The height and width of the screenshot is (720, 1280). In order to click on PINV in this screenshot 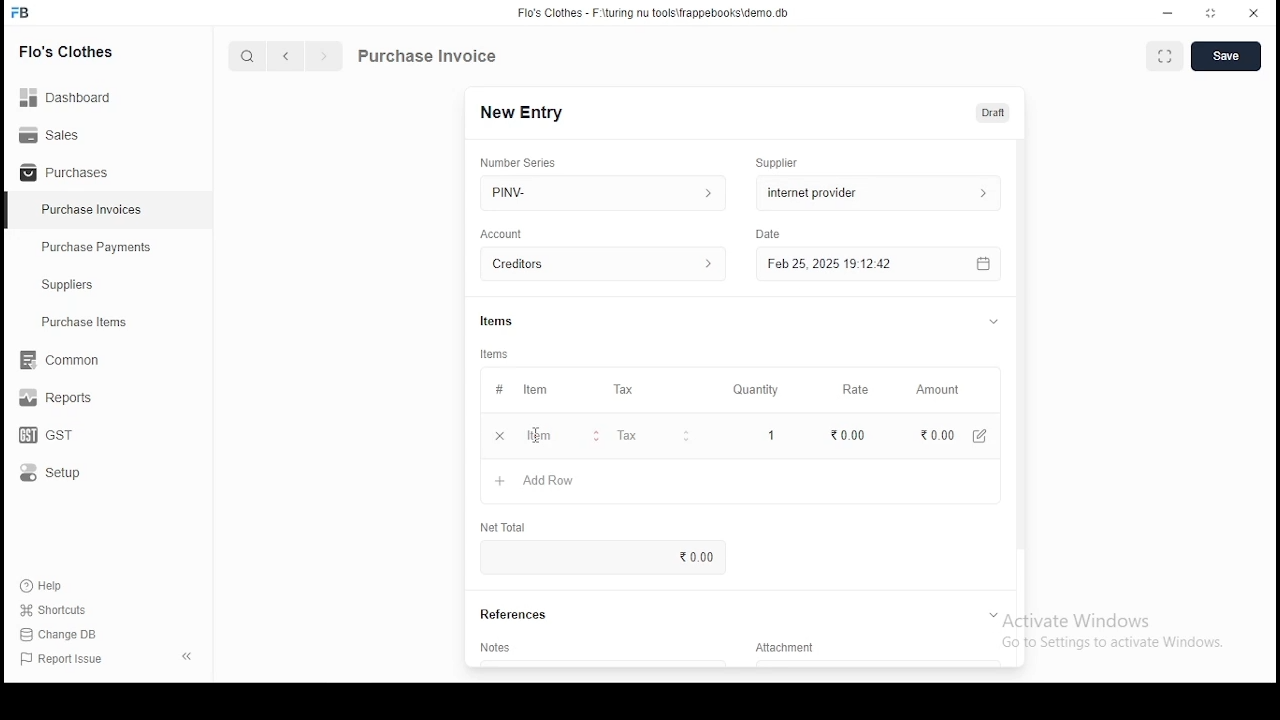, I will do `click(603, 194)`.